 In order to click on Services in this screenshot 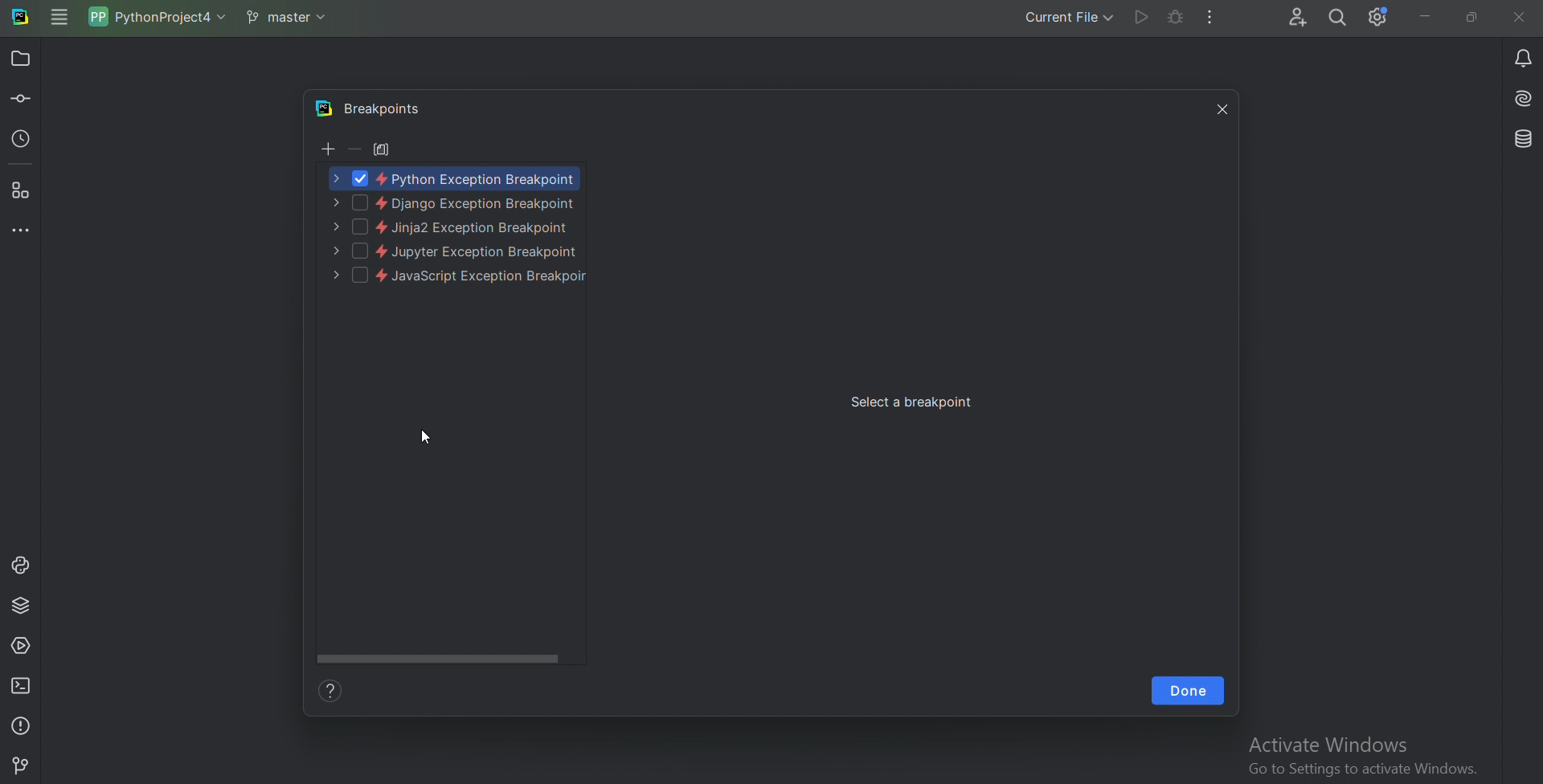, I will do `click(22, 648)`.